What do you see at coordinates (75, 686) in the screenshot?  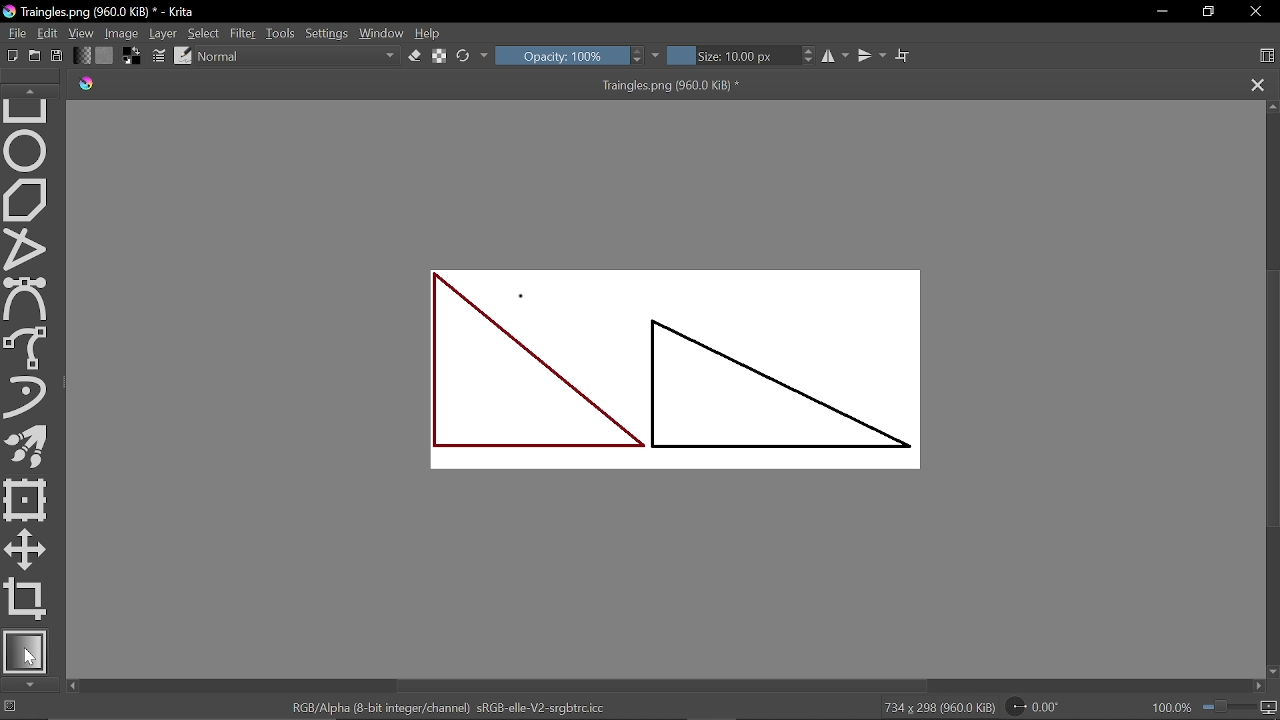 I see `Move left` at bounding box center [75, 686].